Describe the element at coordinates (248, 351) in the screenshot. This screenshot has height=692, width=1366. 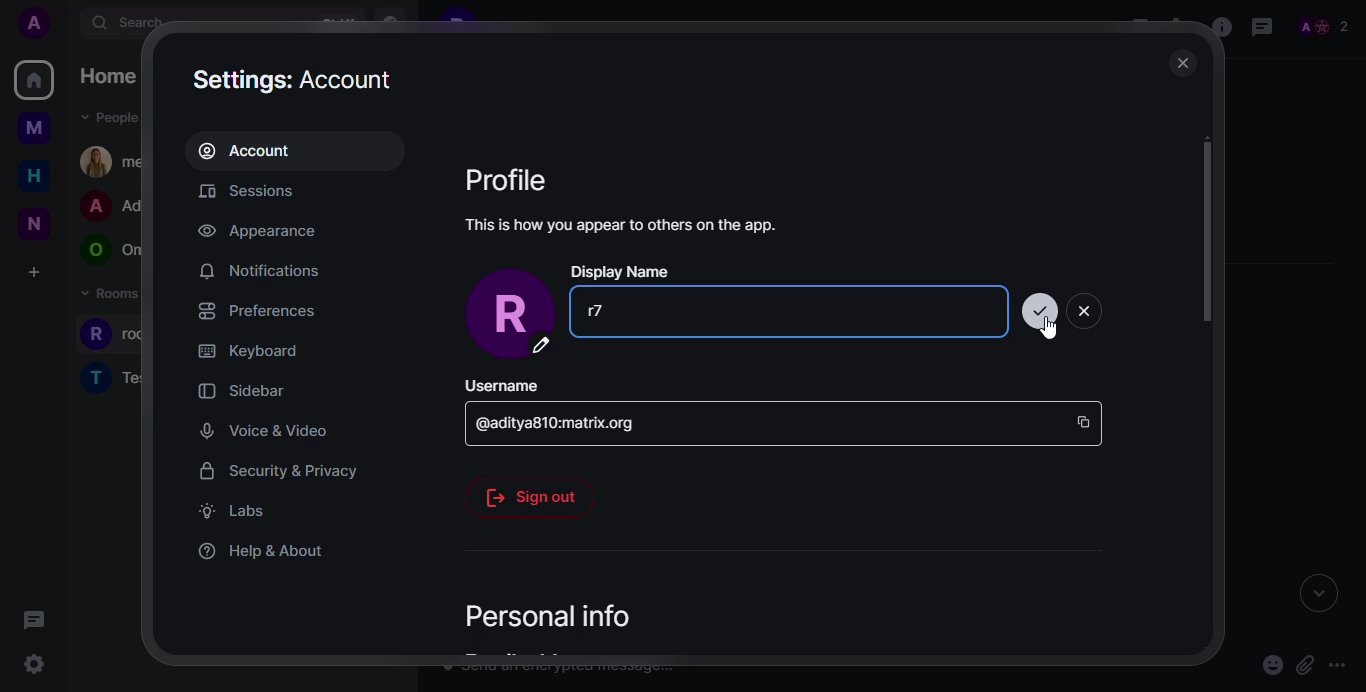
I see `keyboard` at that location.